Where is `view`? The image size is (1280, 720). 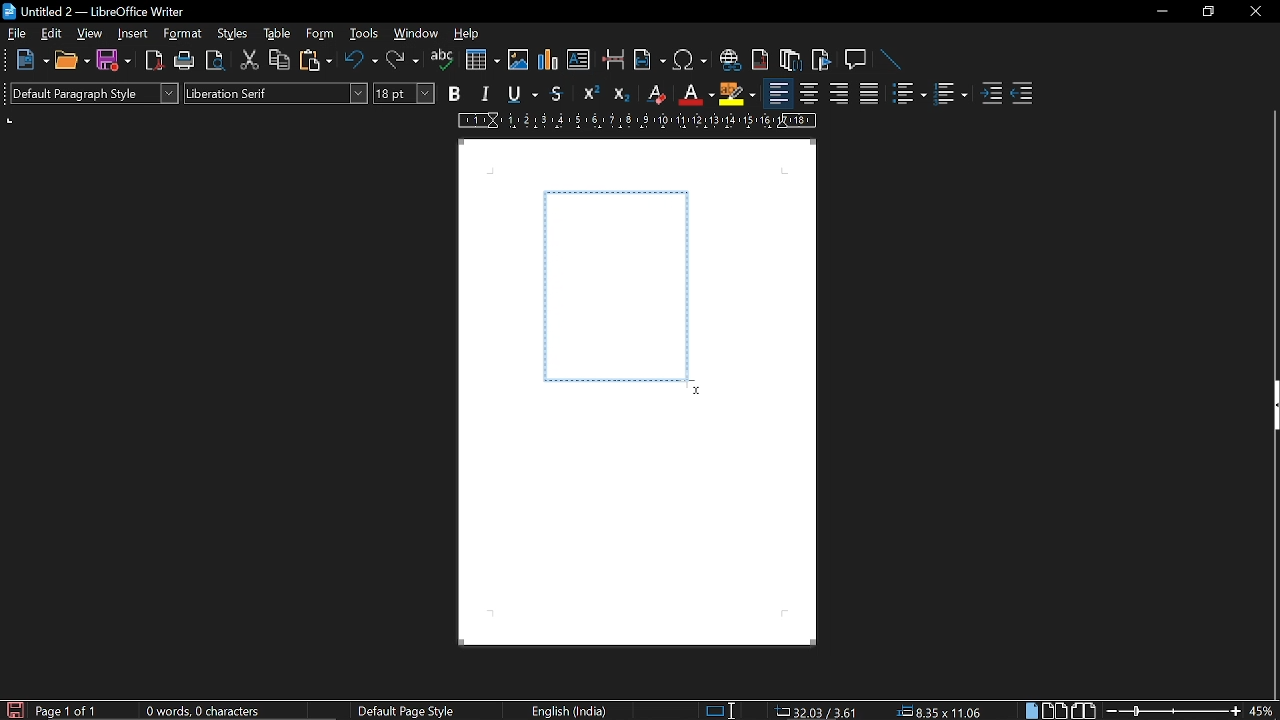
view is located at coordinates (90, 34).